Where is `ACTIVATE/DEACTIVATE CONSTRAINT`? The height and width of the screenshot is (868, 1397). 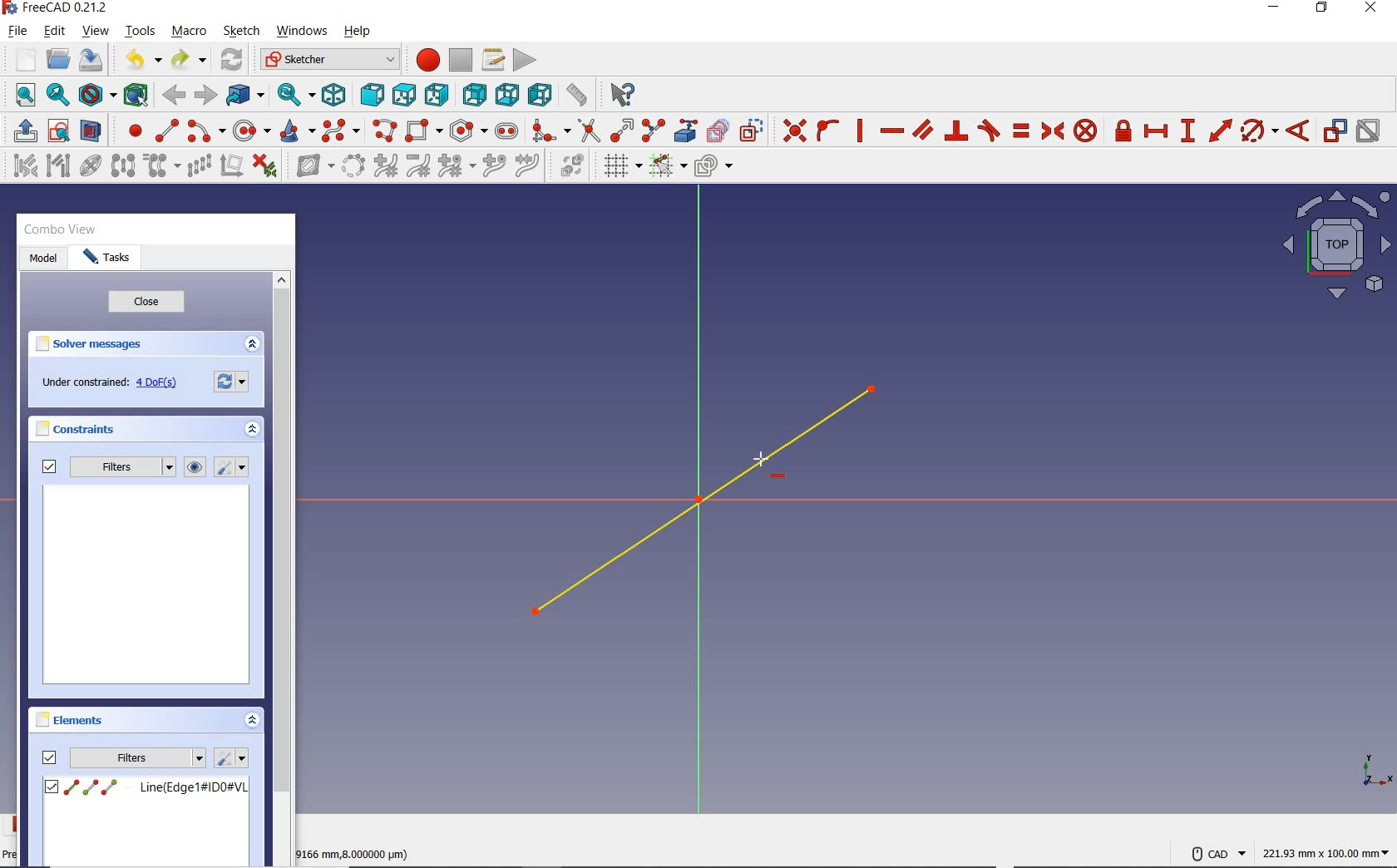
ACTIVATE/DEACTIVATE CONSTRAINT is located at coordinates (1368, 132).